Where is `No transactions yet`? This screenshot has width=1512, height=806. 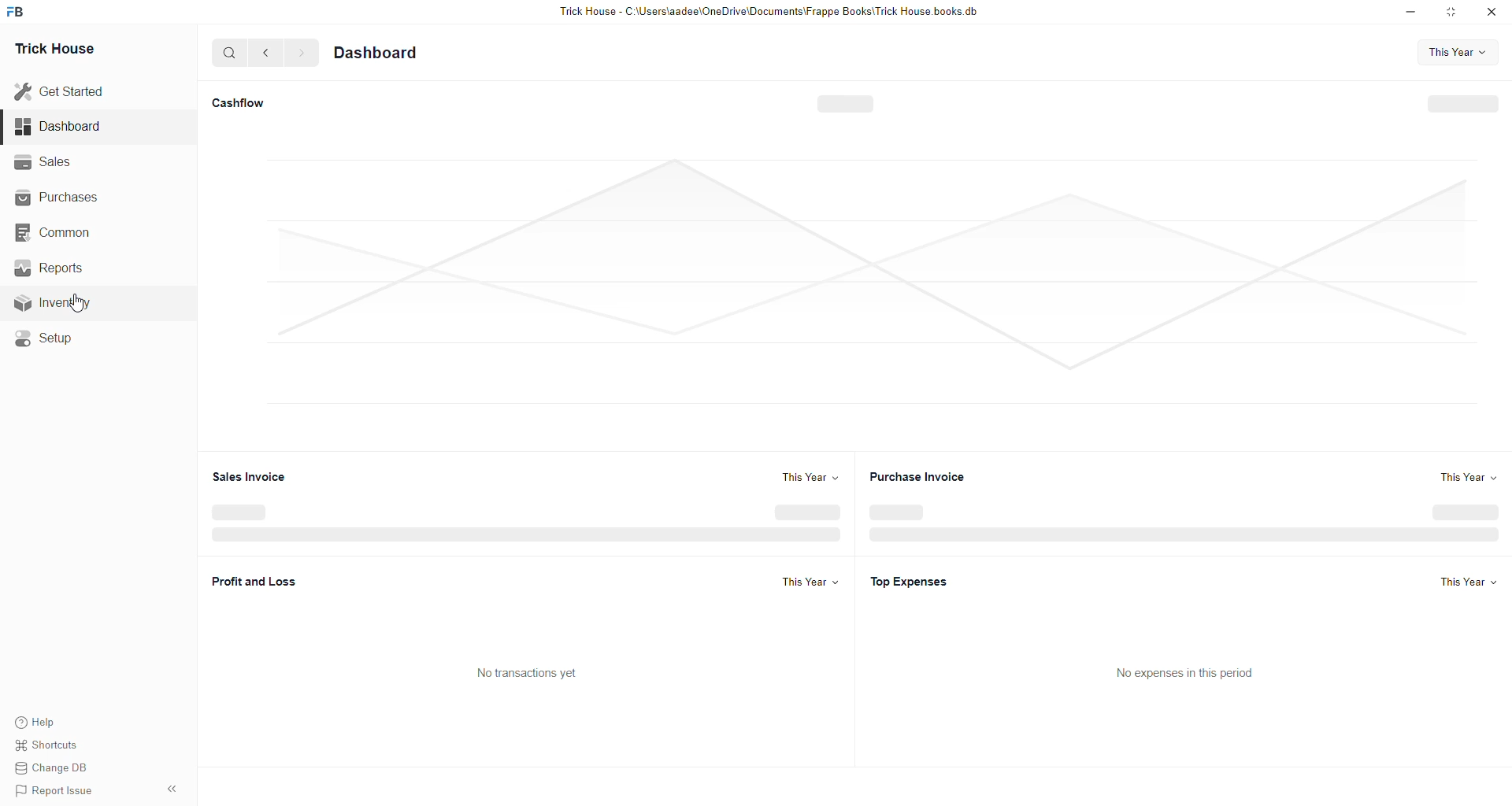 No transactions yet is located at coordinates (531, 675).